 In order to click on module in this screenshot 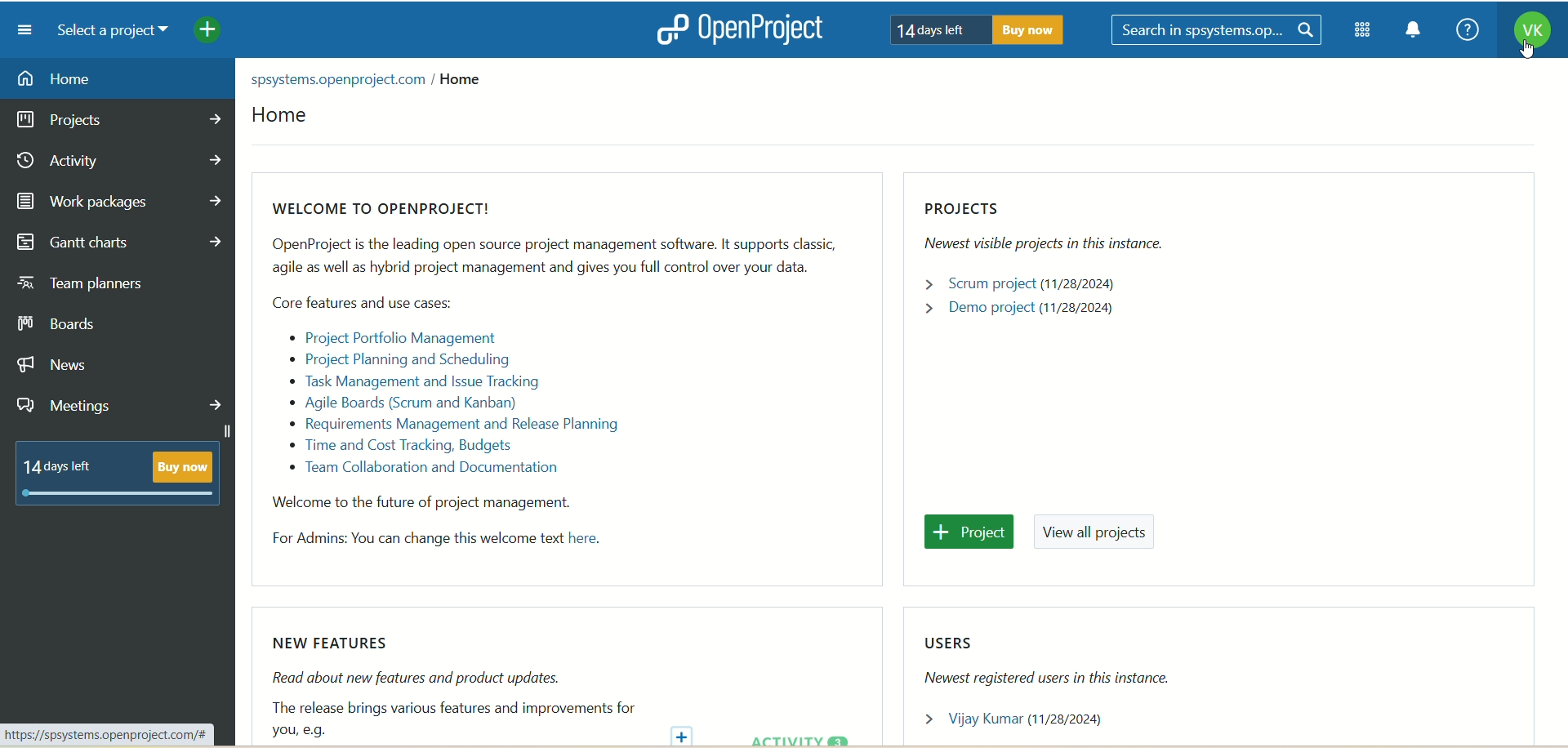, I will do `click(1365, 30)`.